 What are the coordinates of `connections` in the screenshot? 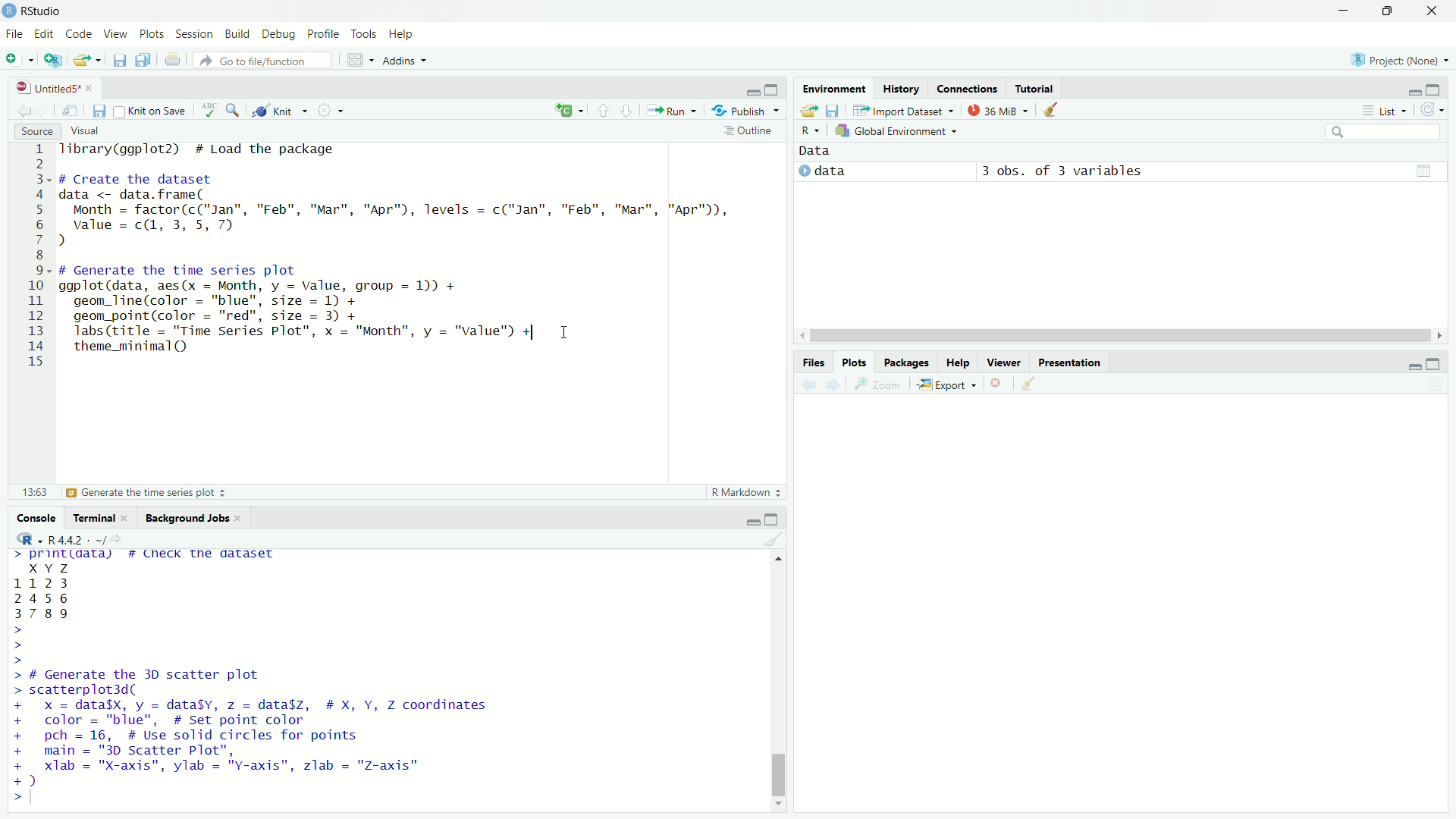 It's located at (968, 86).